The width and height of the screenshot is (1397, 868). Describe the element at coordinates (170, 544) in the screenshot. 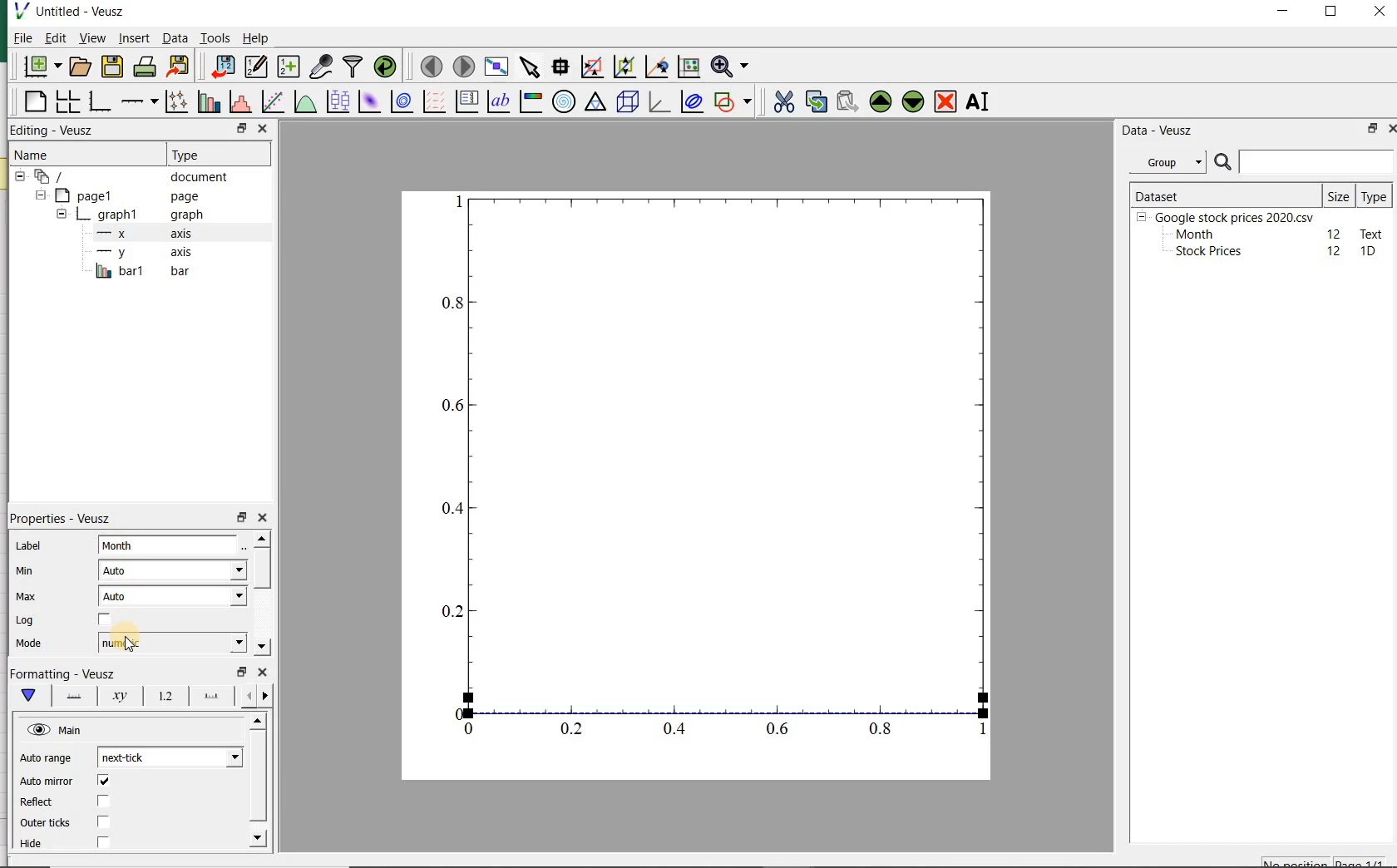

I see `input field` at that location.